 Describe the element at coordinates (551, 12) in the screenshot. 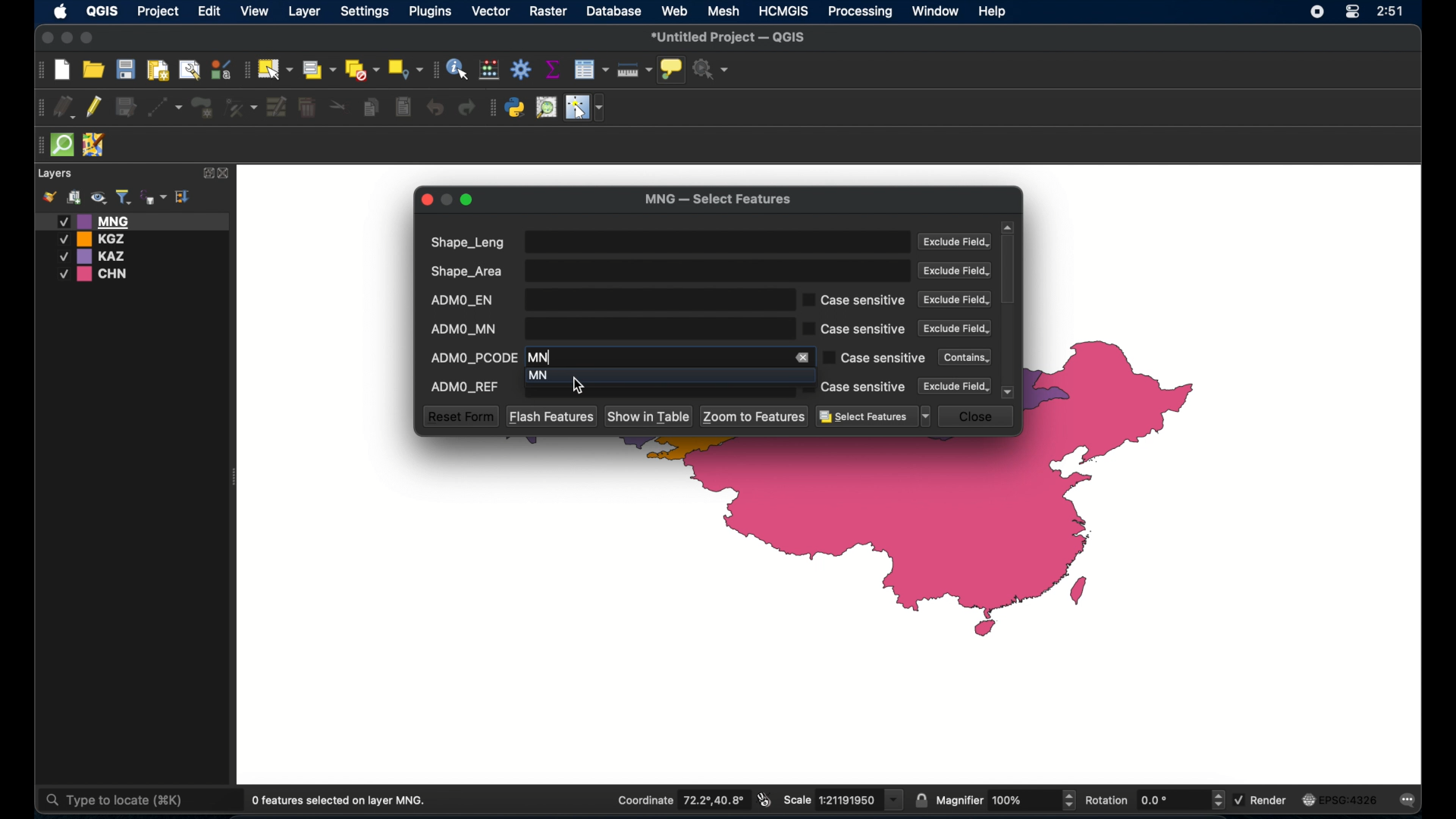

I see `raster` at that location.